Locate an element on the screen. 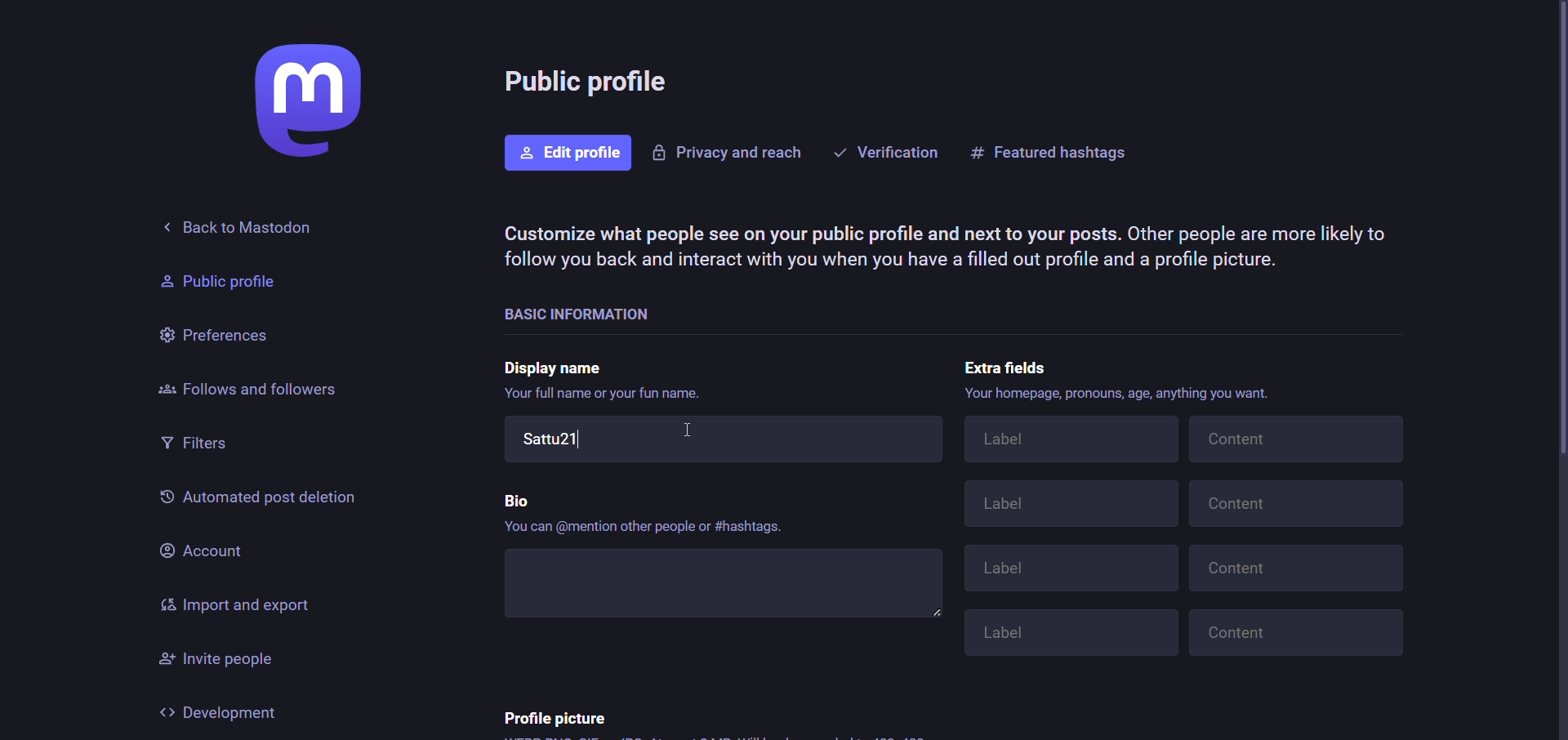 Image resolution: width=1568 pixels, height=740 pixels. verification is located at coordinates (886, 150).